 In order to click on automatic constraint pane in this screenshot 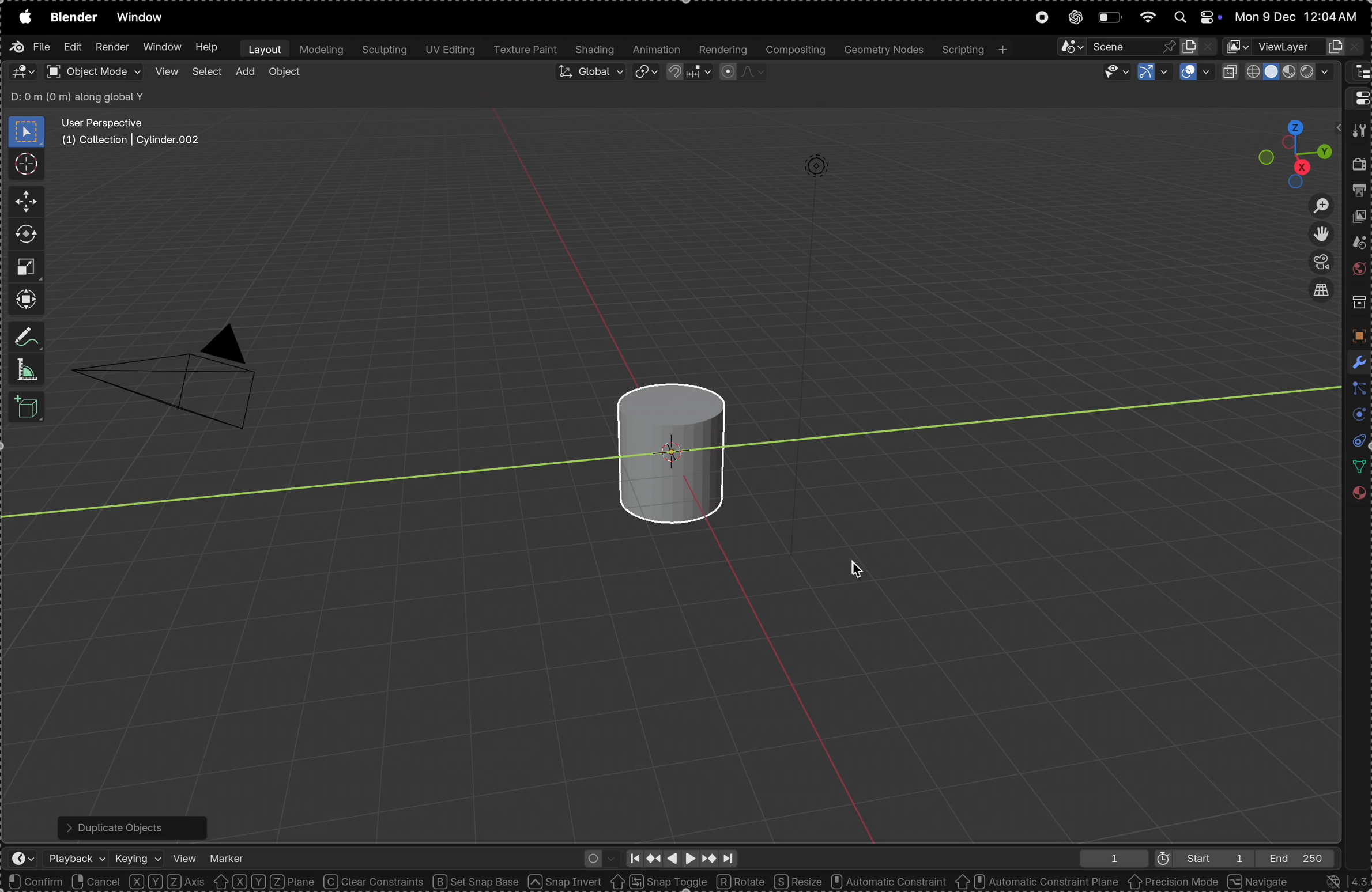, I will do `click(1036, 882)`.